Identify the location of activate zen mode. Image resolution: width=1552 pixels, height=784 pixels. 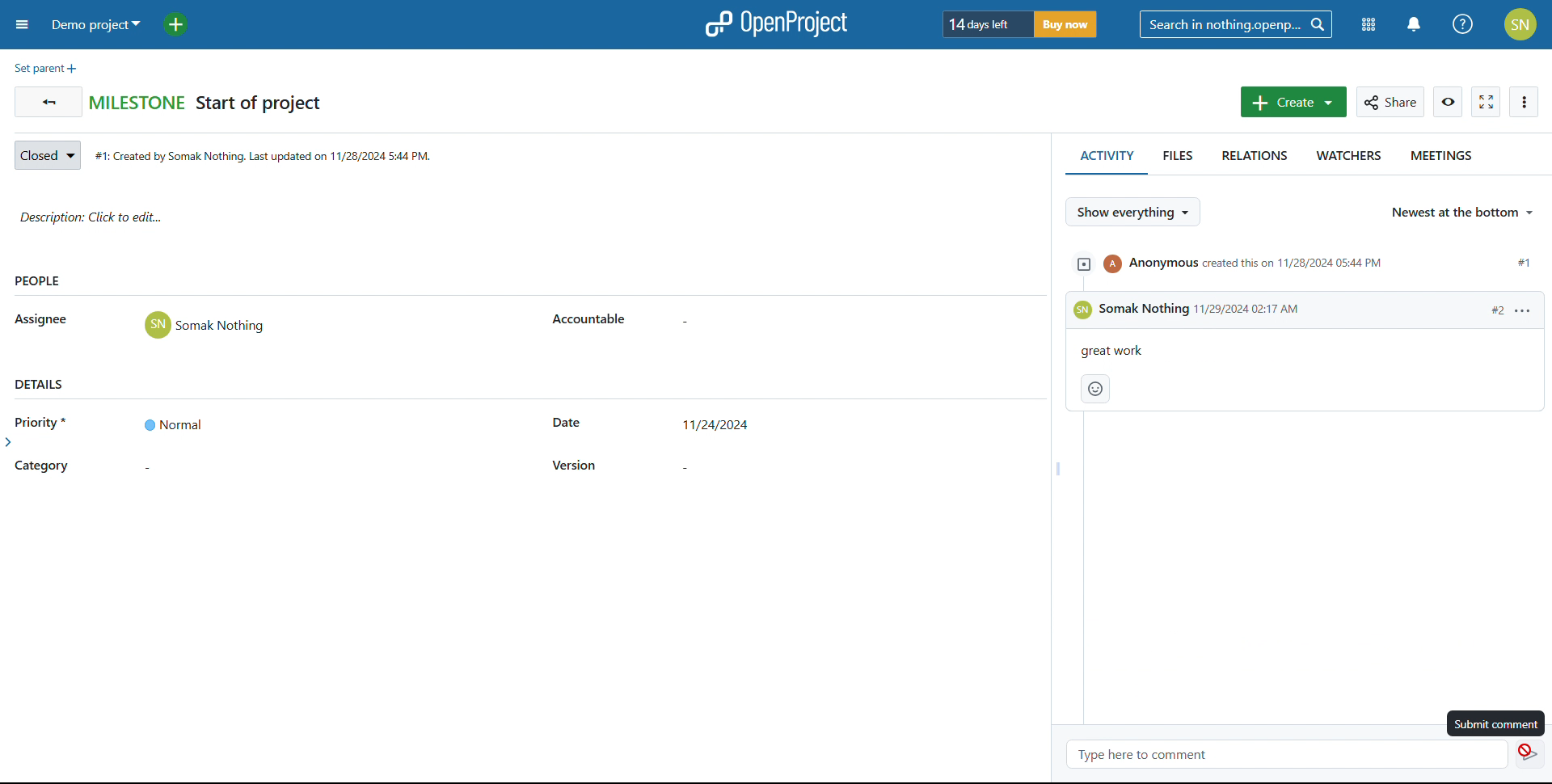
(1487, 103).